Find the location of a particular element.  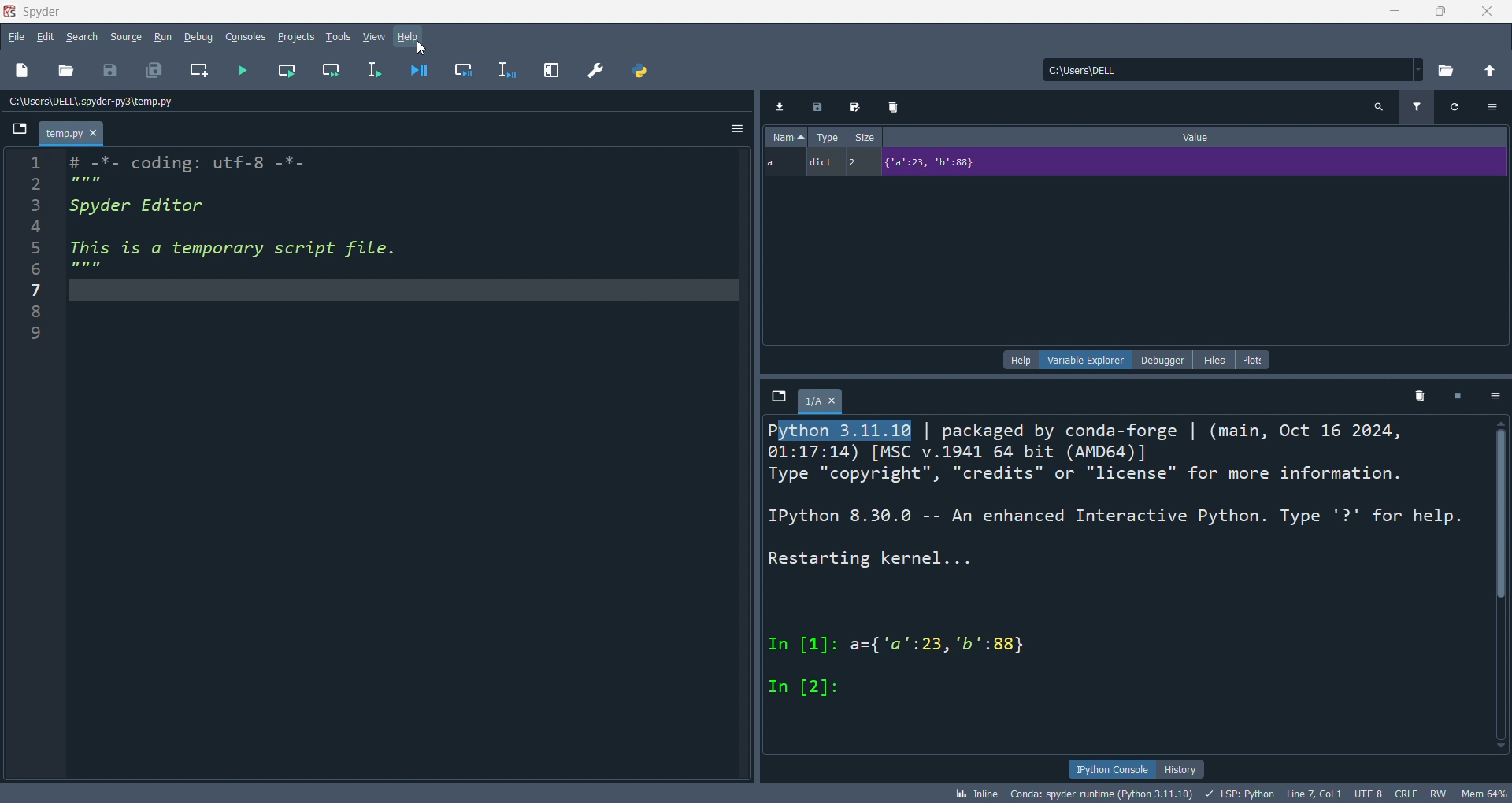

run is located at coordinates (162, 38).